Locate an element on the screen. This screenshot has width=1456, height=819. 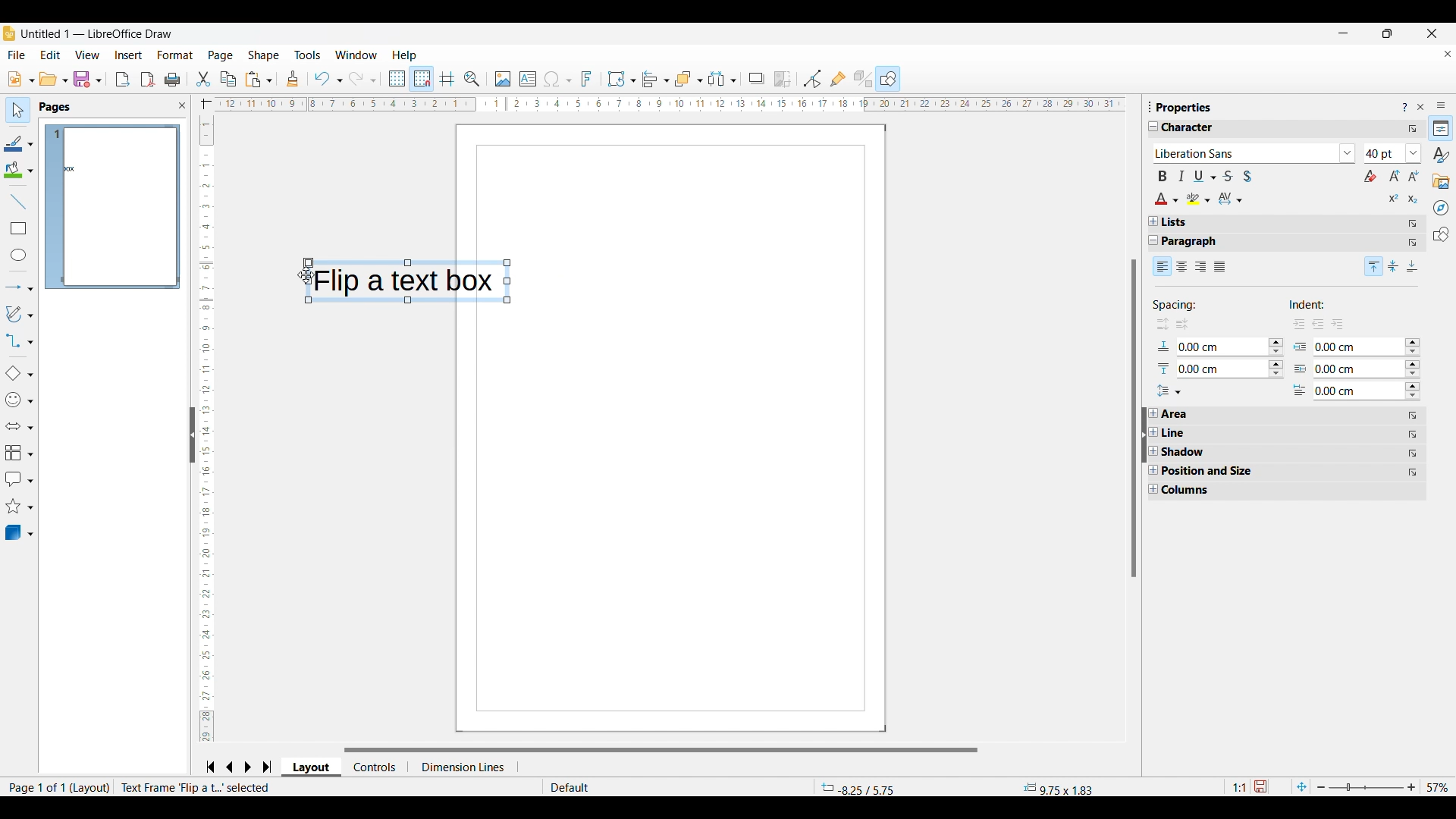
More options is located at coordinates (1413, 129).